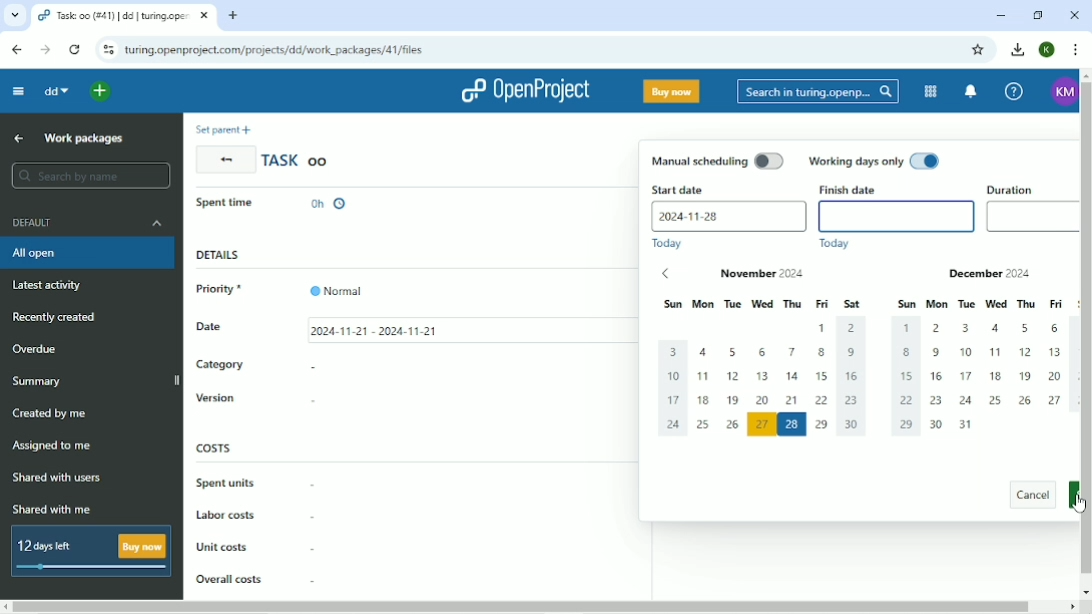 Image resolution: width=1092 pixels, height=614 pixels. What do you see at coordinates (279, 289) in the screenshot?
I see `Priority` at bounding box center [279, 289].